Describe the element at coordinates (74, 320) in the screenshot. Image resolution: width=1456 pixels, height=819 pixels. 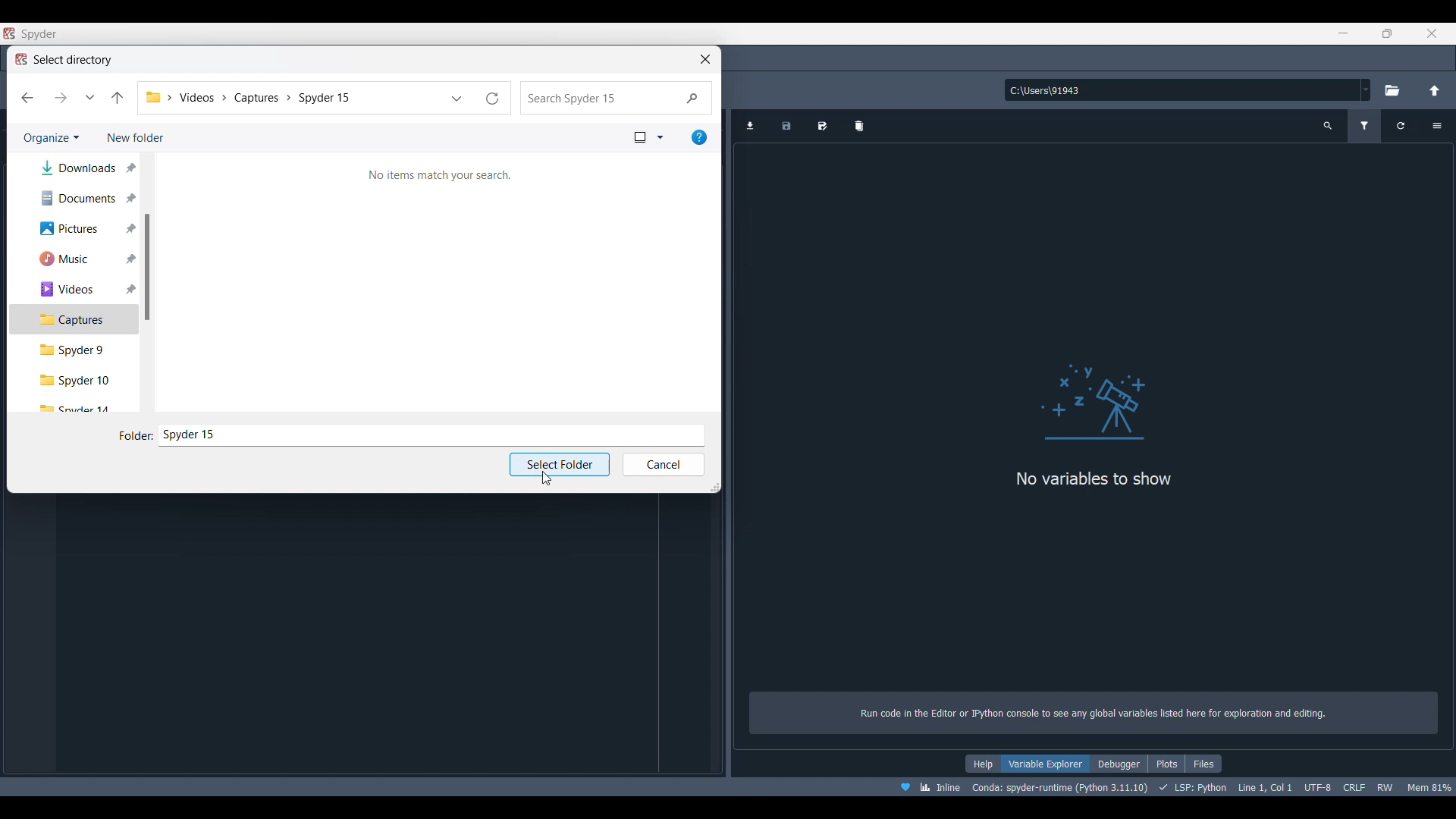
I see `Captures, current folder highlighted` at that location.